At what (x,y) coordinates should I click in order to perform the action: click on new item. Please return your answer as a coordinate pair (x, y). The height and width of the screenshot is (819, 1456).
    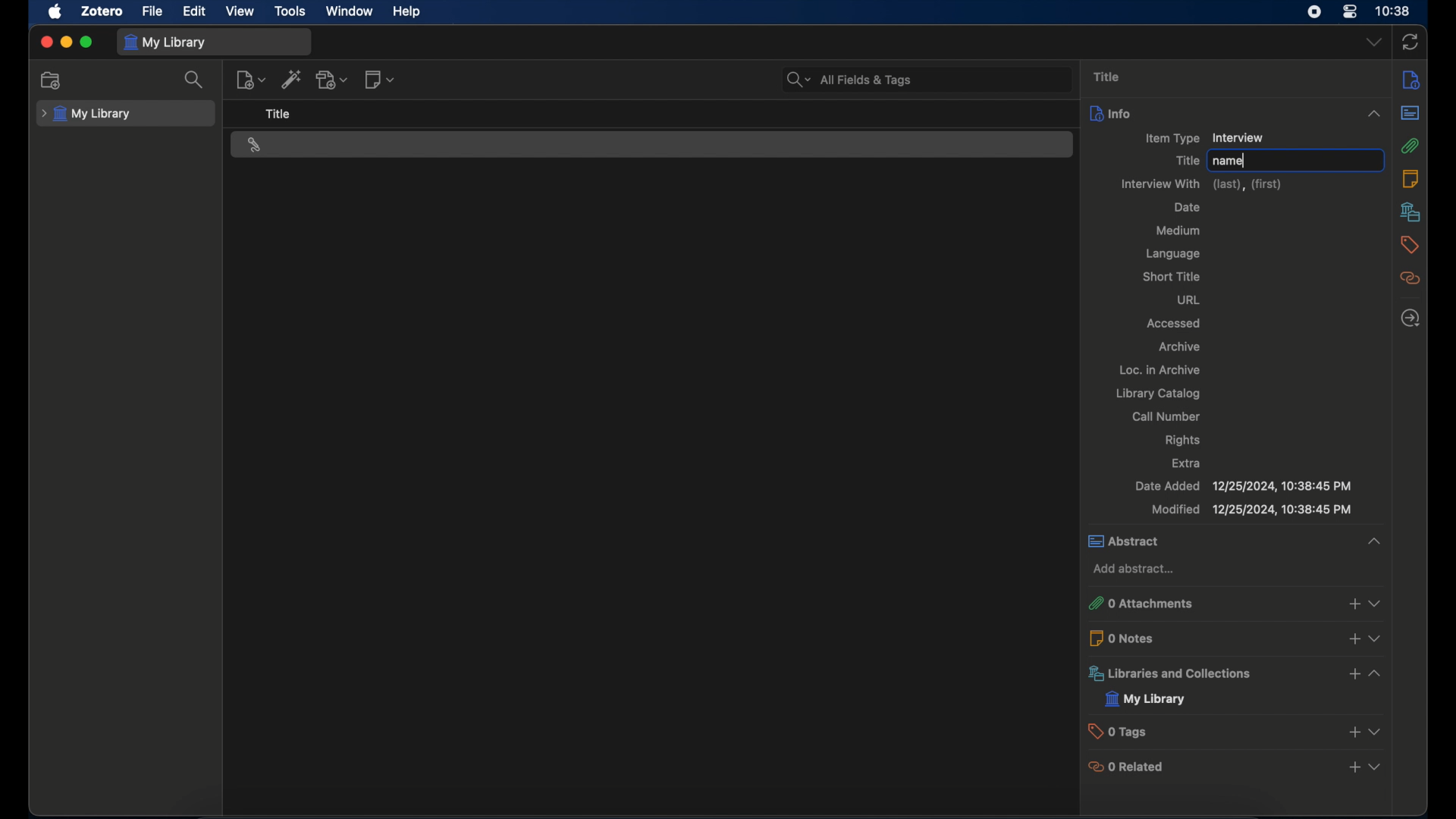
    Looking at the image, I should click on (251, 80).